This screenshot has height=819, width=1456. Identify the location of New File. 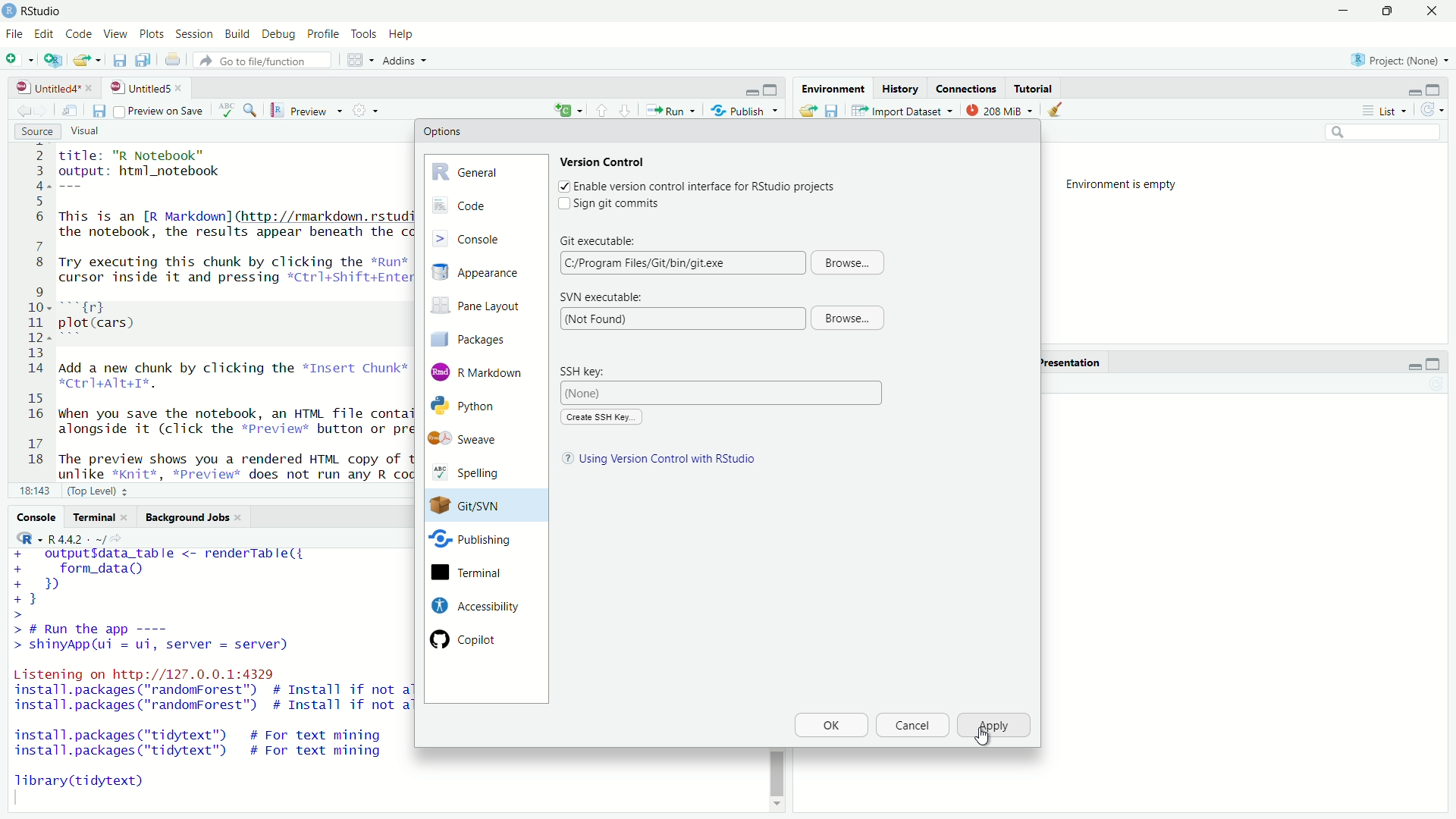
(20, 58).